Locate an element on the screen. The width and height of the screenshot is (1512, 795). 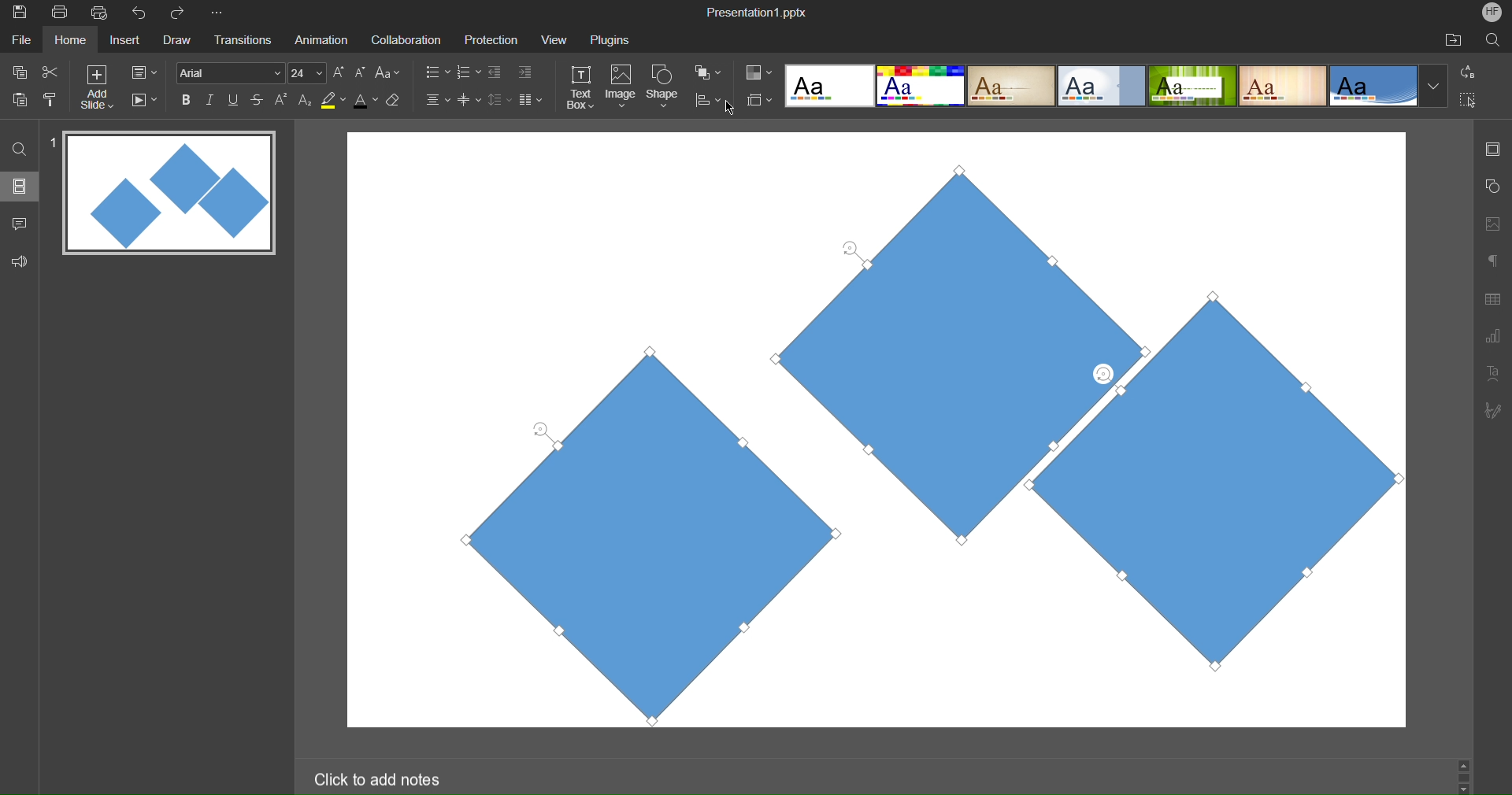
Text Color is located at coordinates (365, 99).